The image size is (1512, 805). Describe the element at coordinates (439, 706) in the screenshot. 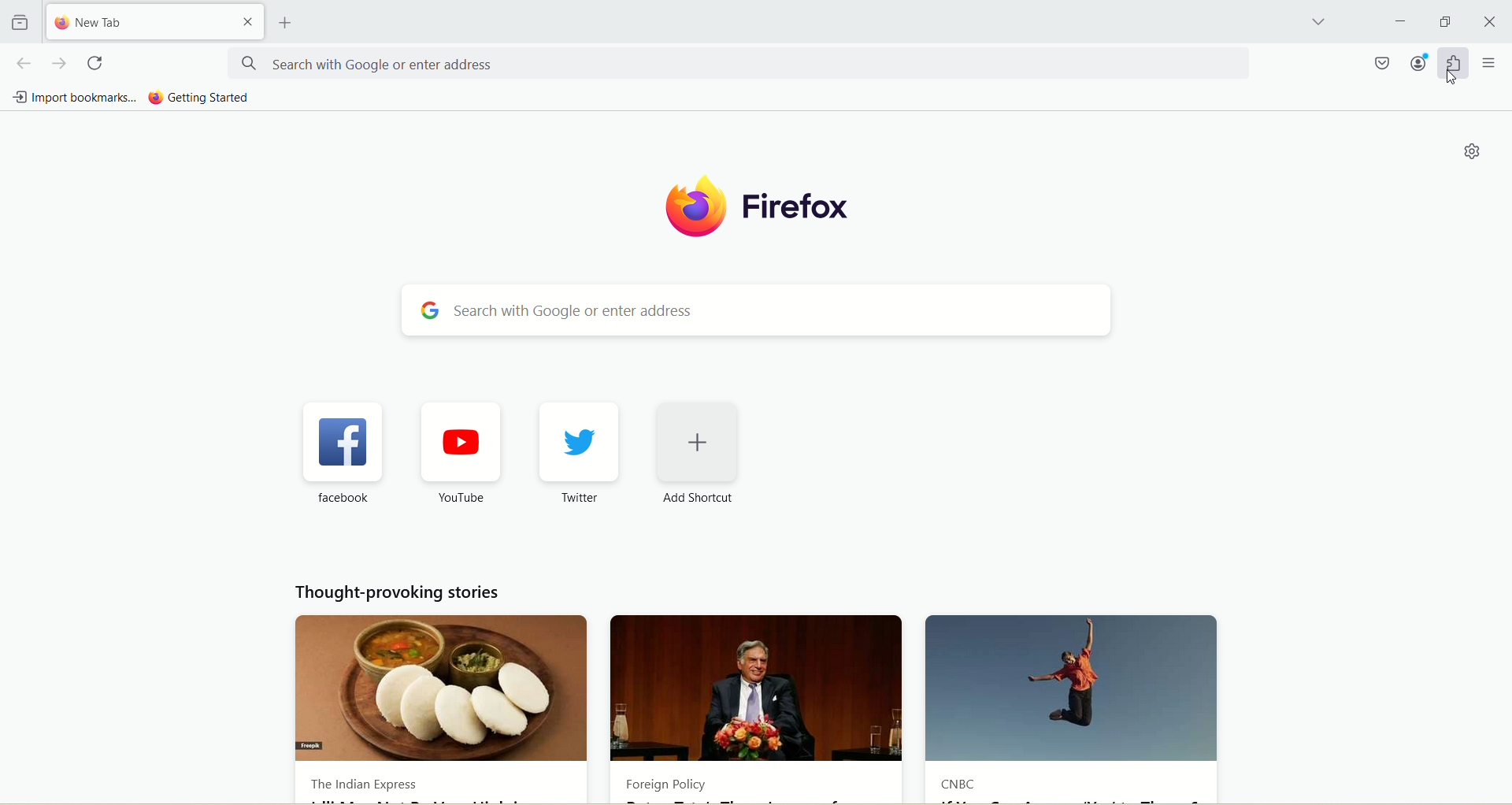

I see `The Indian Express` at that location.